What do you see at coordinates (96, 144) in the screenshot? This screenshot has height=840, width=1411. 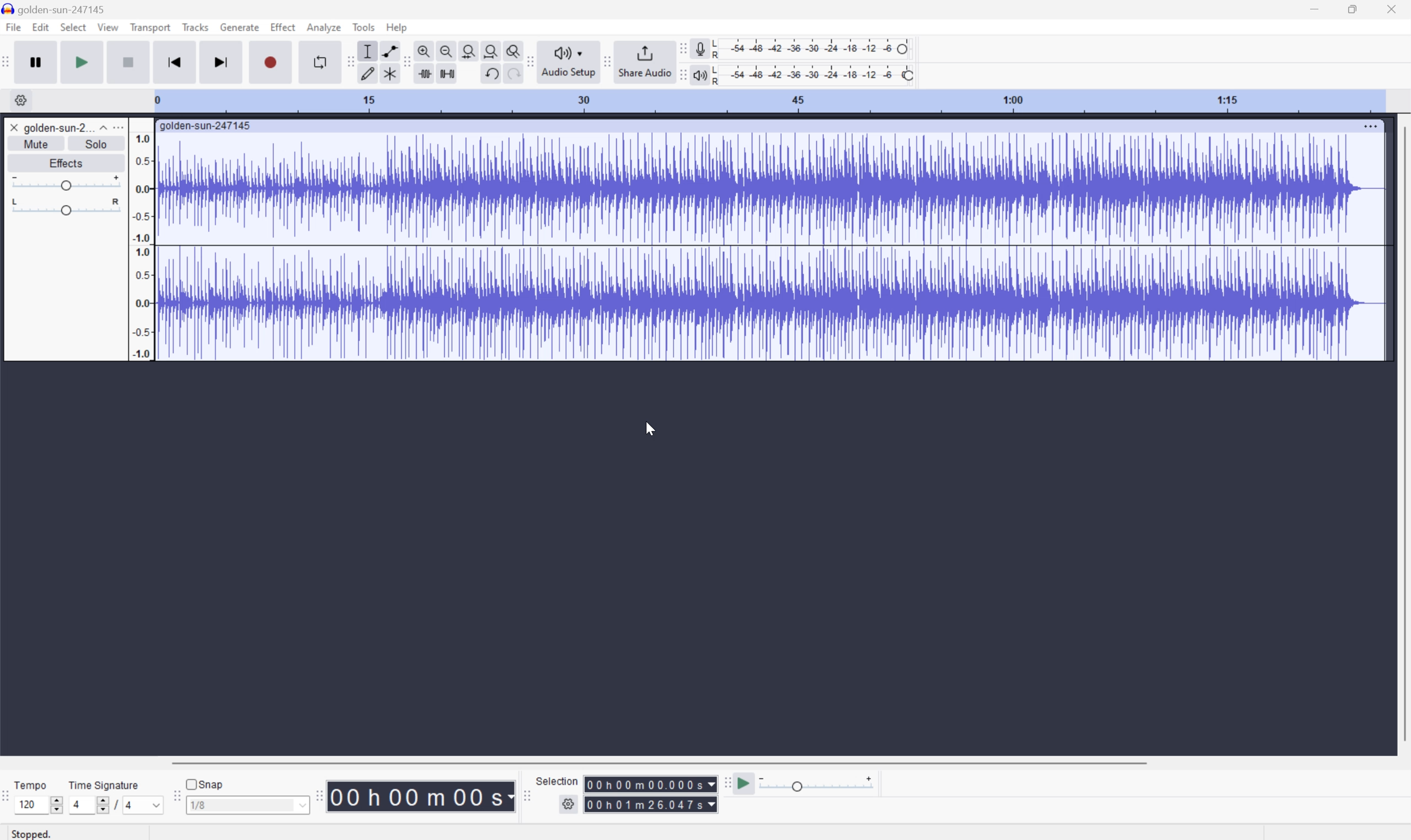 I see `Solo` at bounding box center [96, 144].